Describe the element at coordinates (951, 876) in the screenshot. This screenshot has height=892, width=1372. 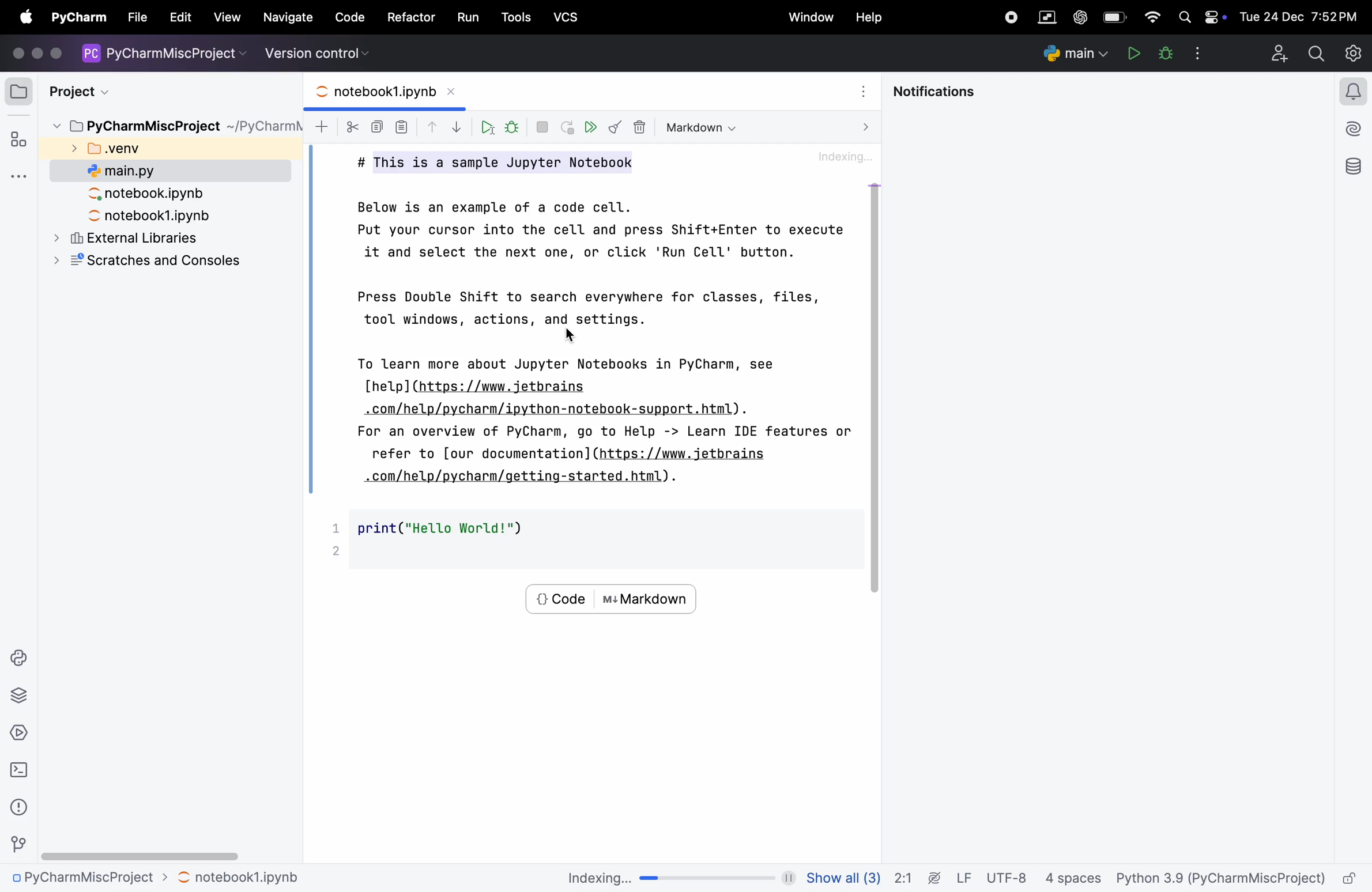
I see `lf` at that location.